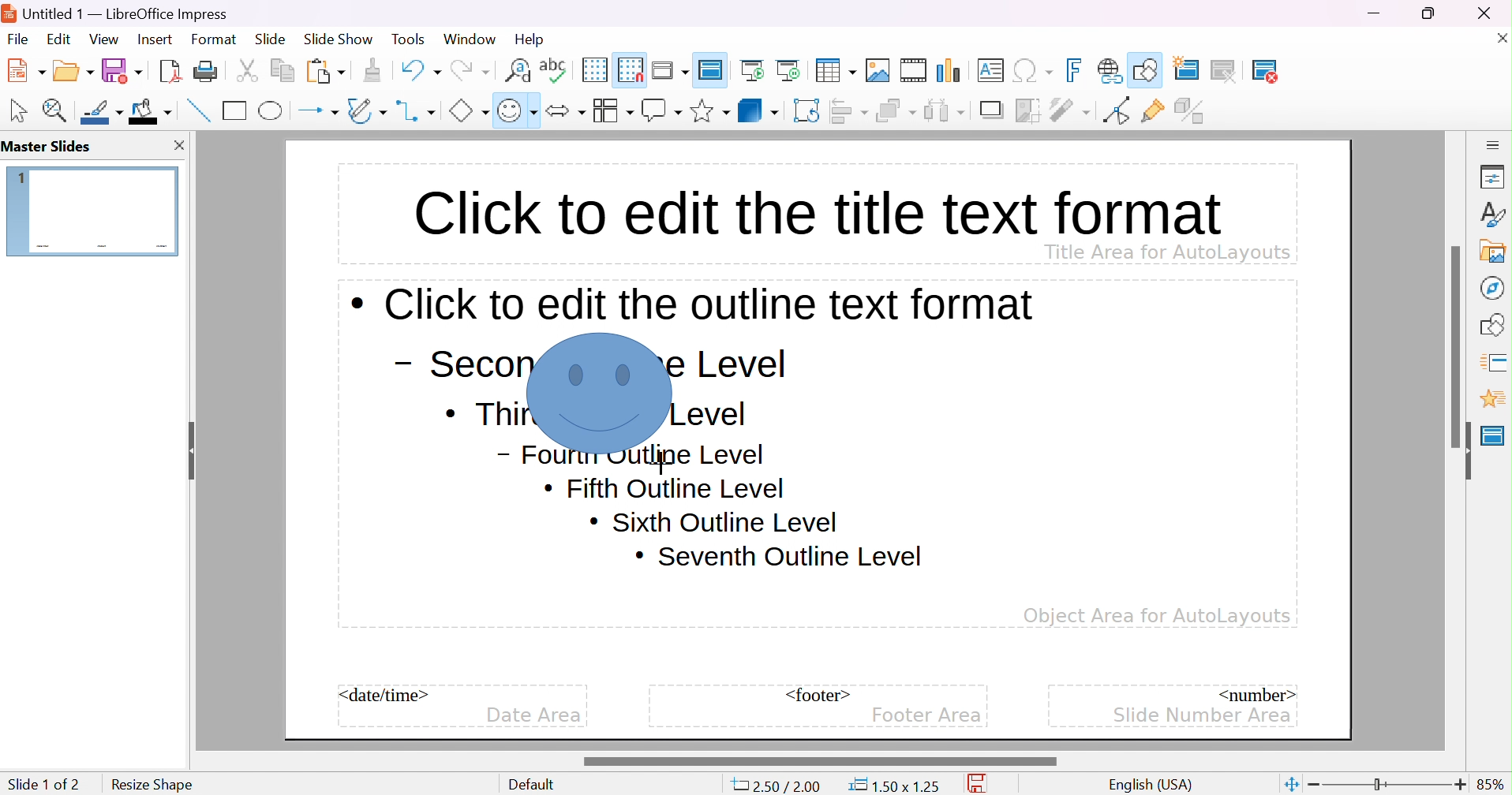 This screenshot has width=1512, height=795. Describe the element at coordinates (951, 70) in the screenshot. I see `insert chart` at that location.